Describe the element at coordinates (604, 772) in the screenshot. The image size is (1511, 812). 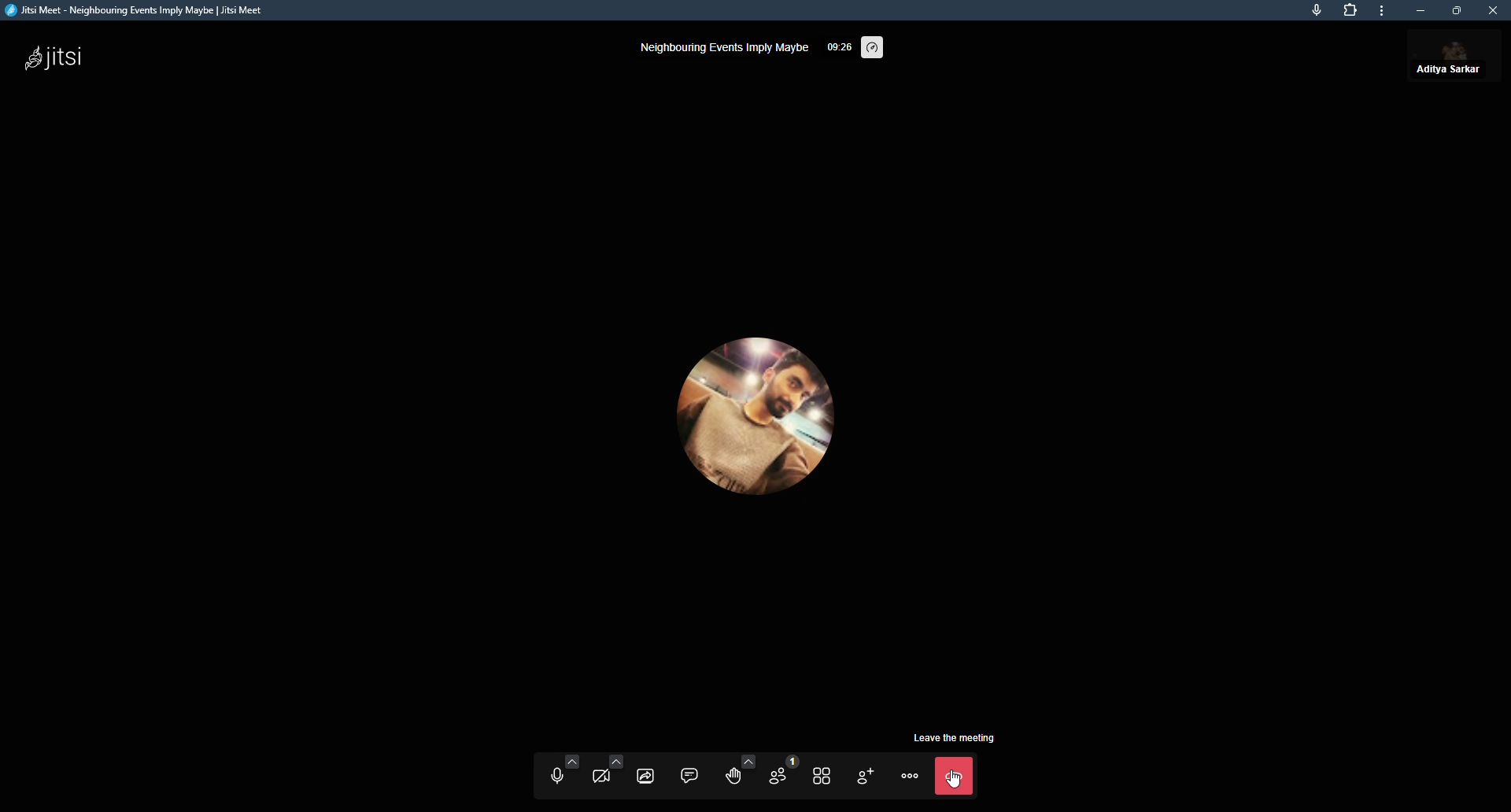
I see `start camera` at that location.